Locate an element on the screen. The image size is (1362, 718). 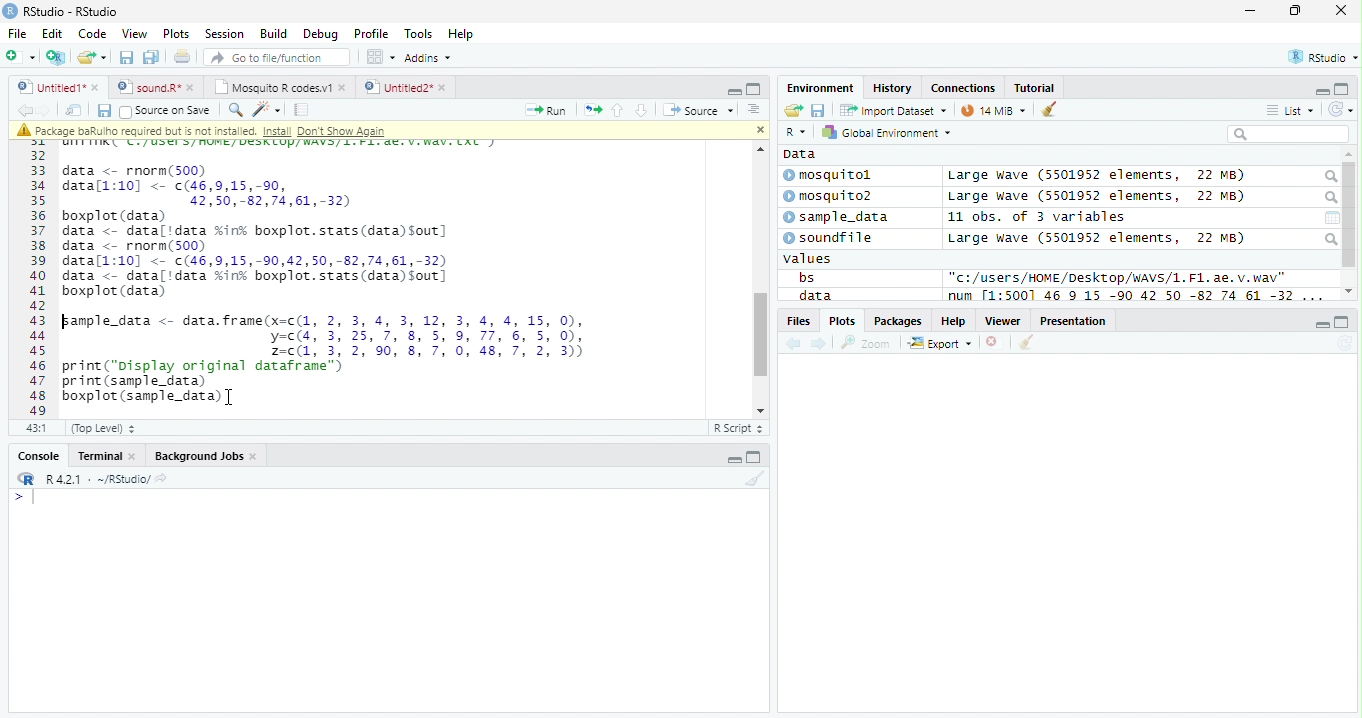
data is located at coordinates (813, 295).